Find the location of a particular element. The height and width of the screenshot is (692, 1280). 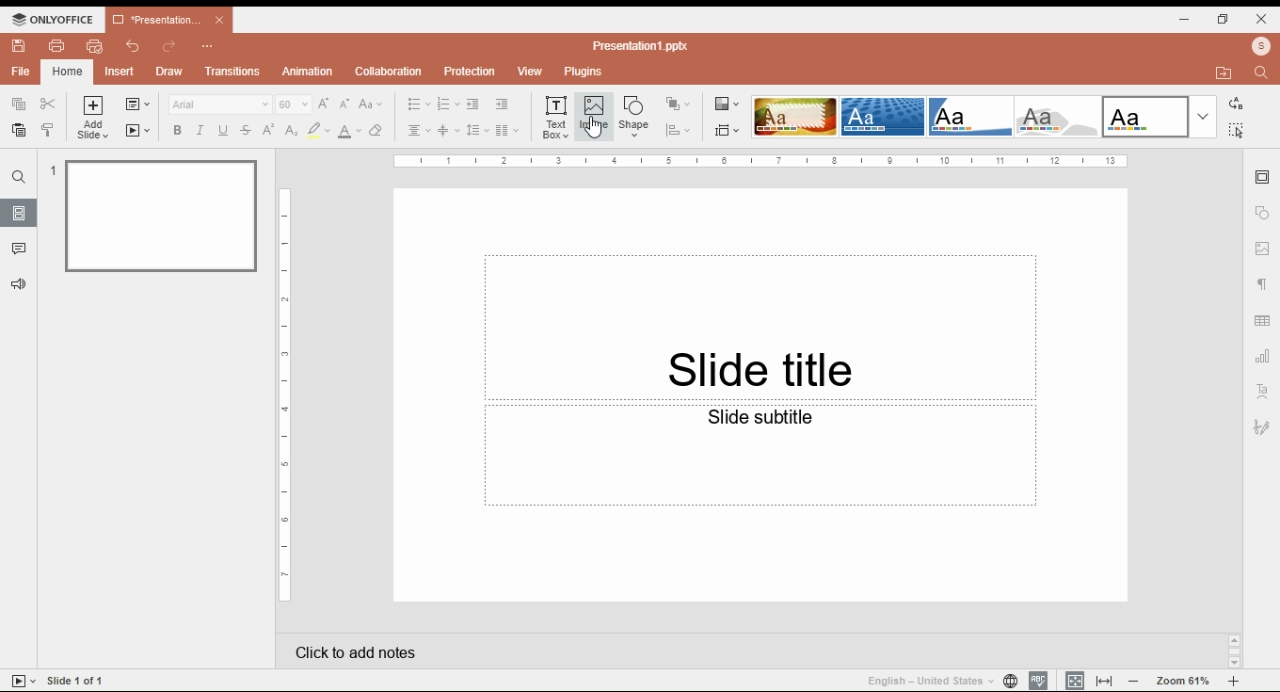

find is located at coordinates (18, 177).